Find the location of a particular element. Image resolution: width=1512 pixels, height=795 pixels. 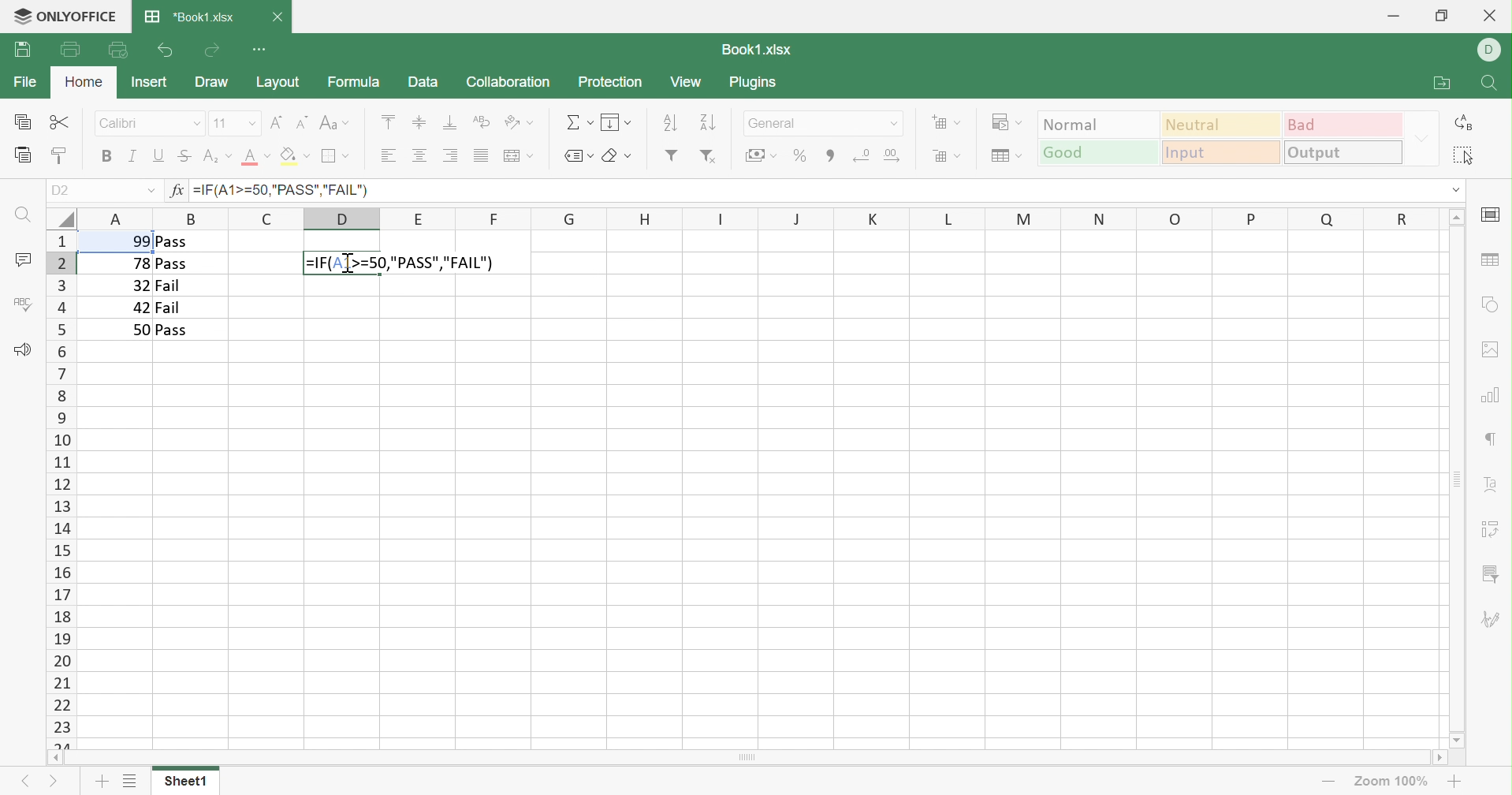

Formula is located at coordinates (352, 81).